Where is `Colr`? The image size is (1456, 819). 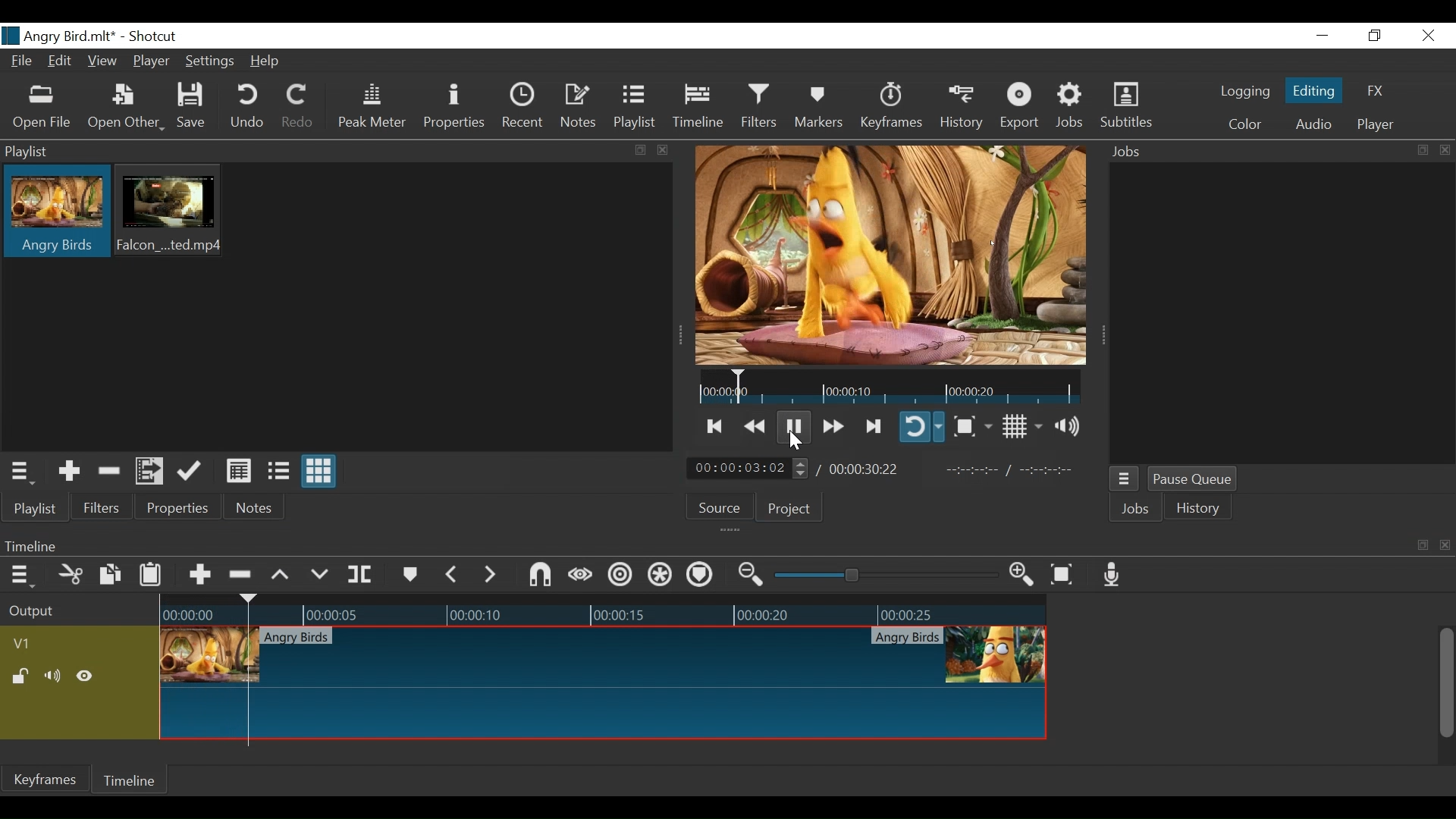
Colr is located at coordinates (1244, 124).